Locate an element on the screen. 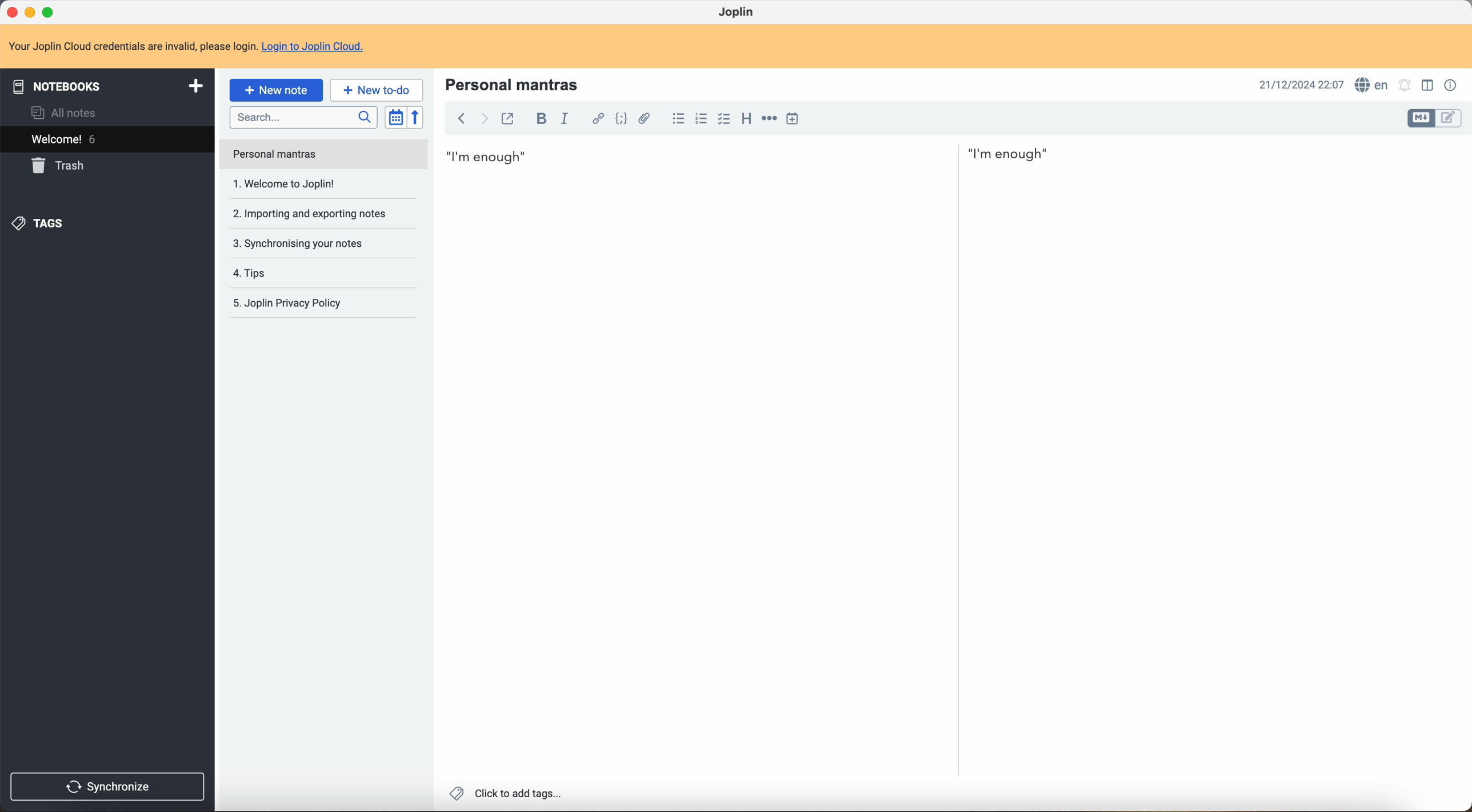  bulleted list is located at coordinates (678, 119).